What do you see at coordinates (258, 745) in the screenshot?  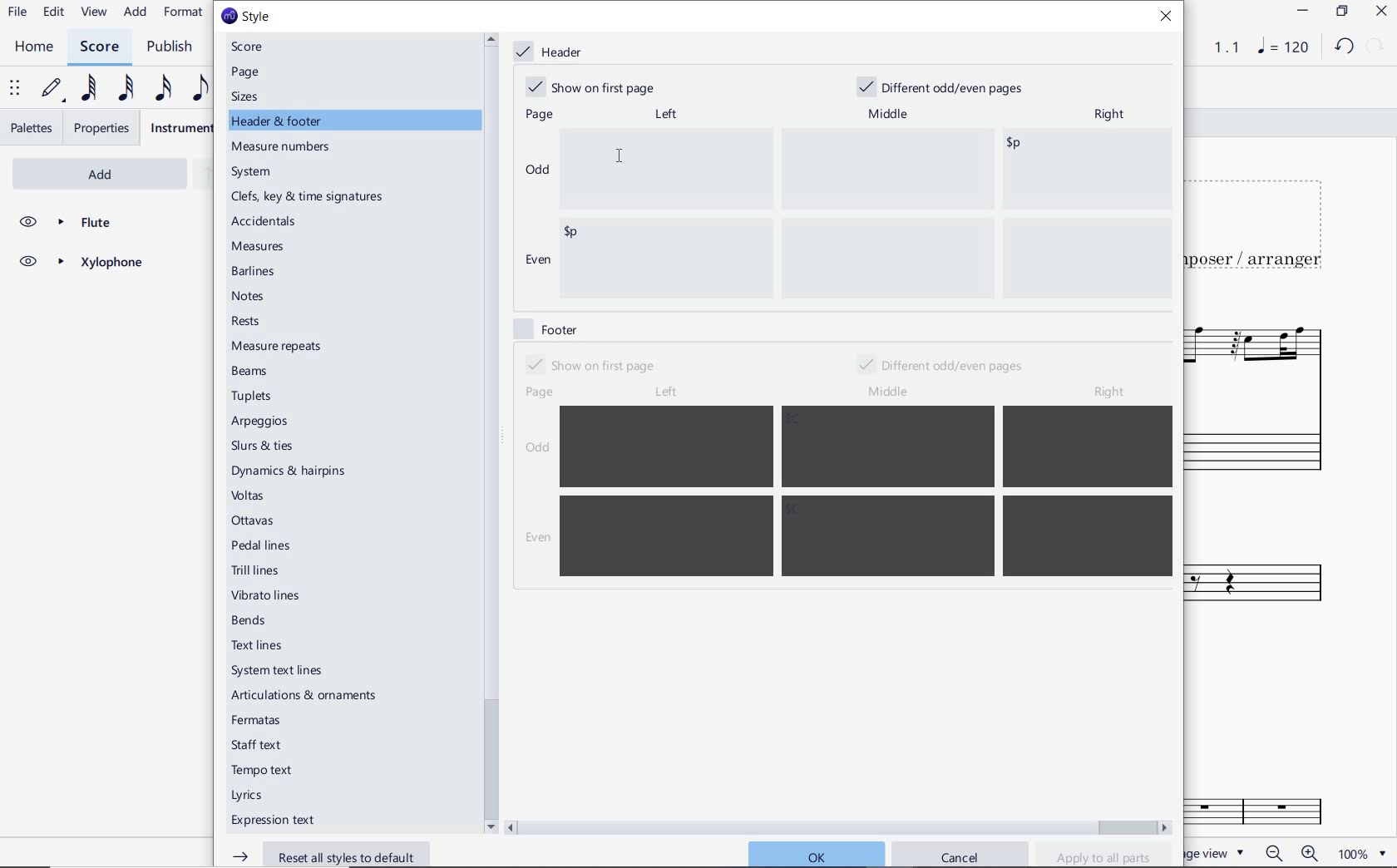 I see `staff text` at bounding box center [258, 745].